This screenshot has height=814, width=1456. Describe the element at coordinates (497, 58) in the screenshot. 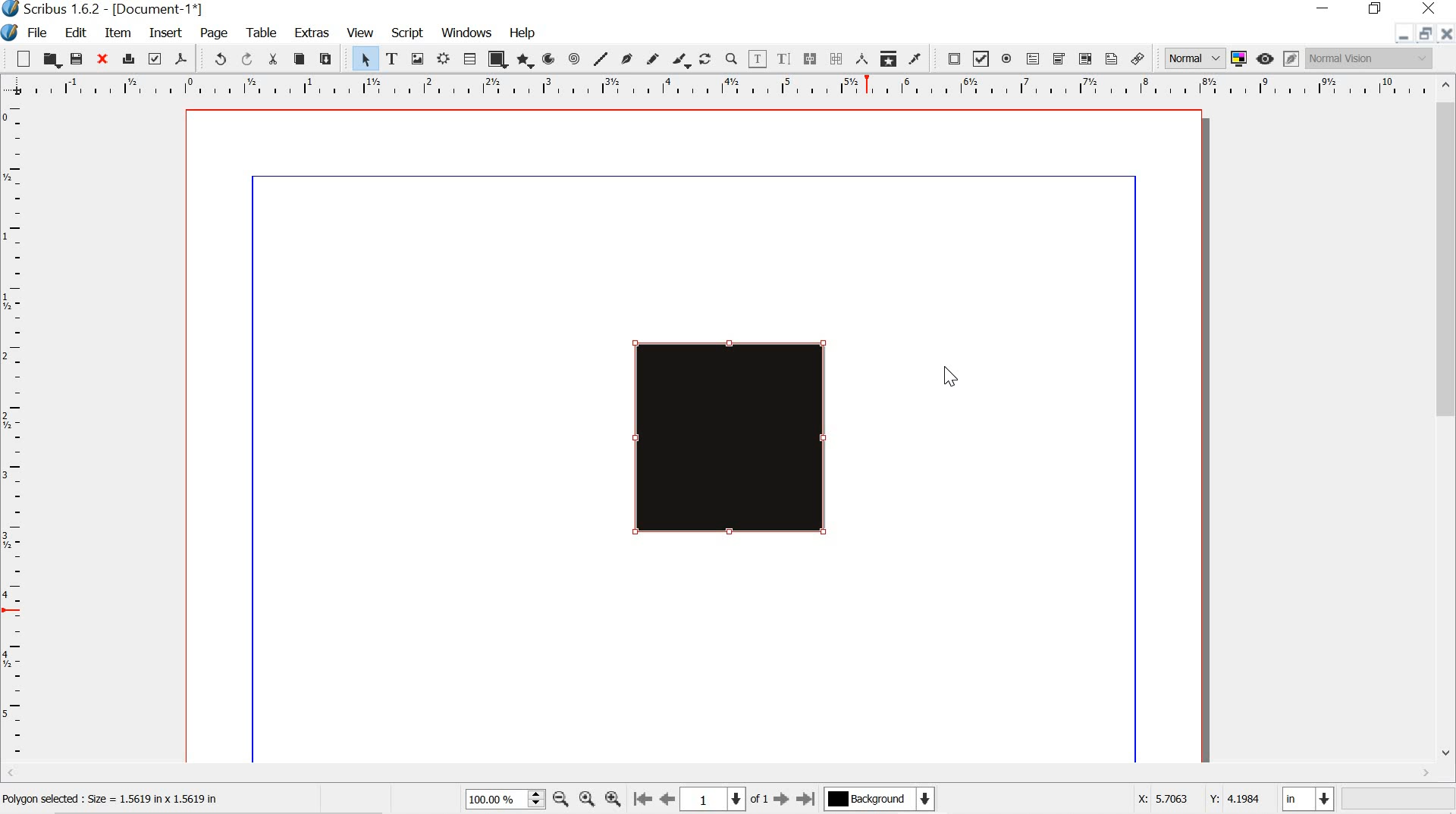

I see `shape` at that location.